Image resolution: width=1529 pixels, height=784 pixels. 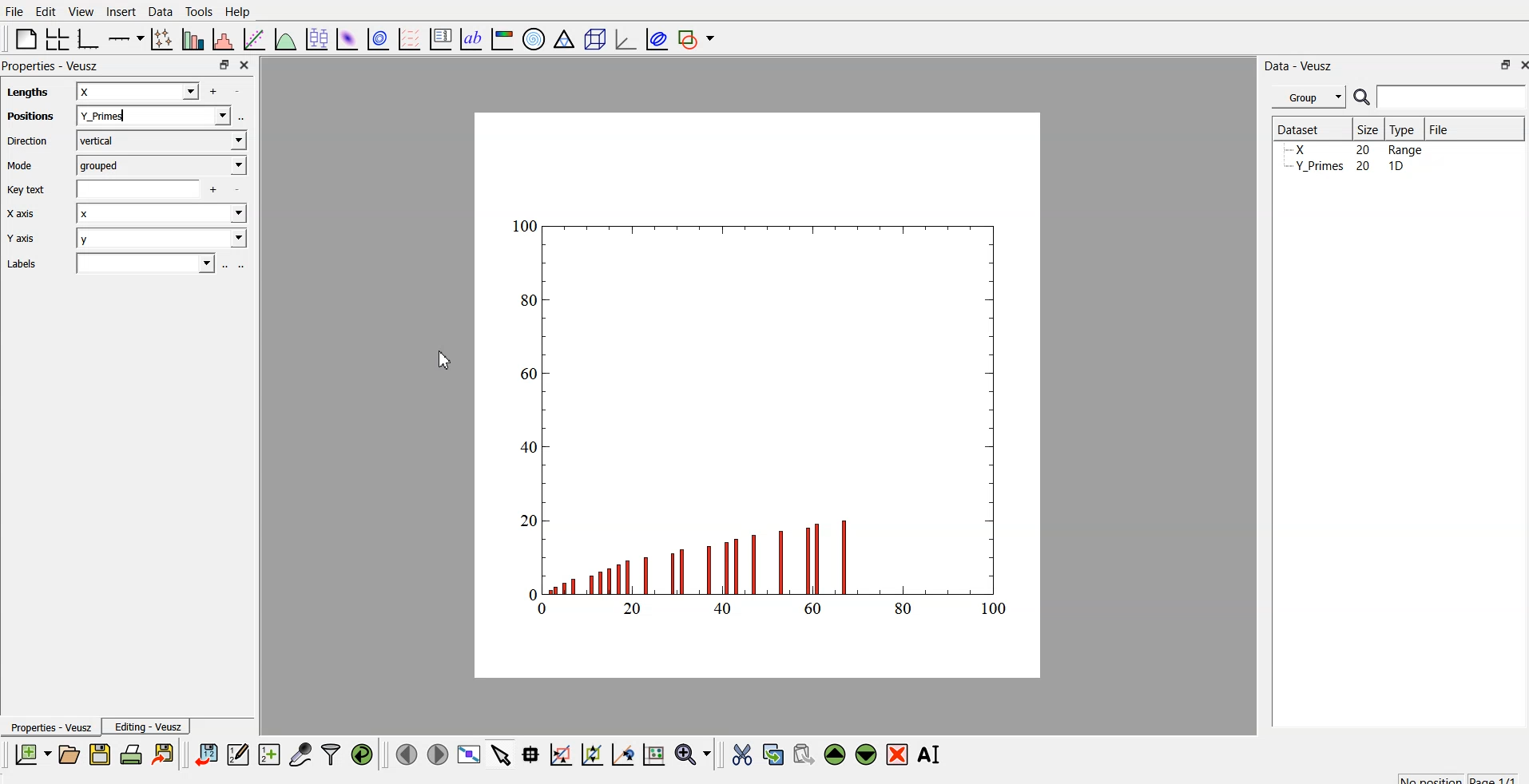 I want to click on plot dataset, so click(x=347, y=38).